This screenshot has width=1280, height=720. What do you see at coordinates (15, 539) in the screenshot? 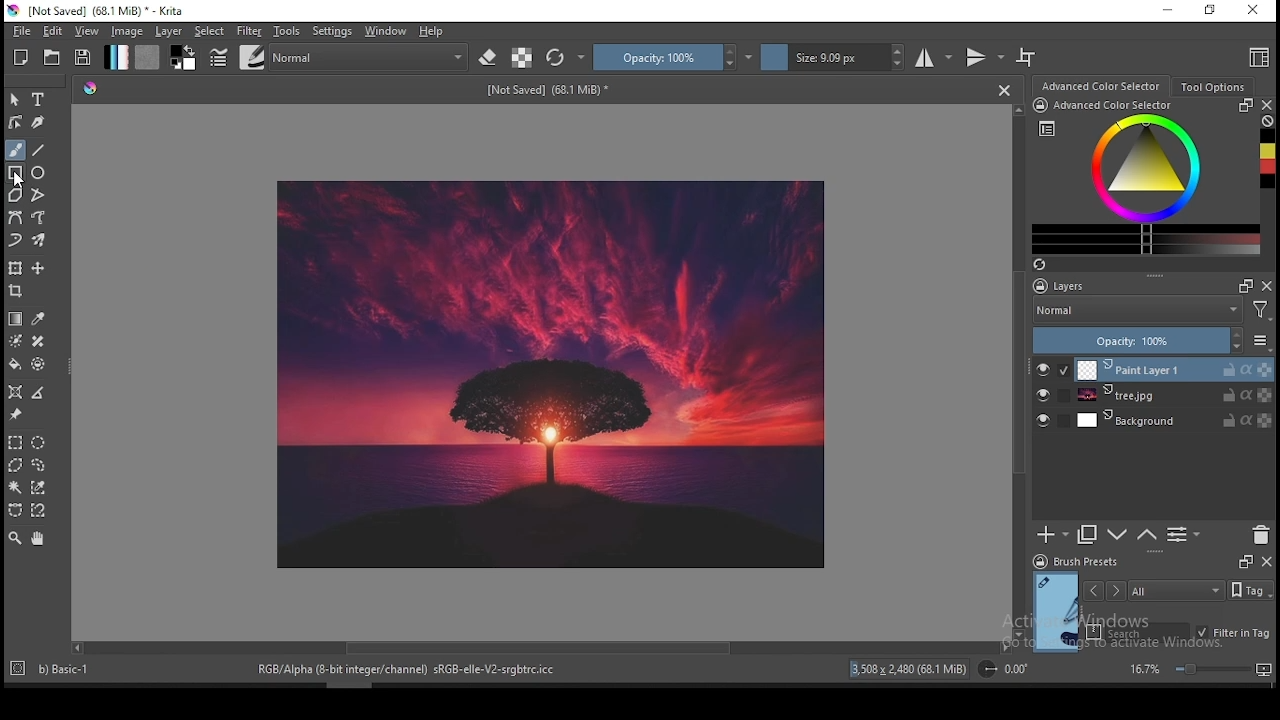
I see `zoom tool` at bounding box center [15, 539].